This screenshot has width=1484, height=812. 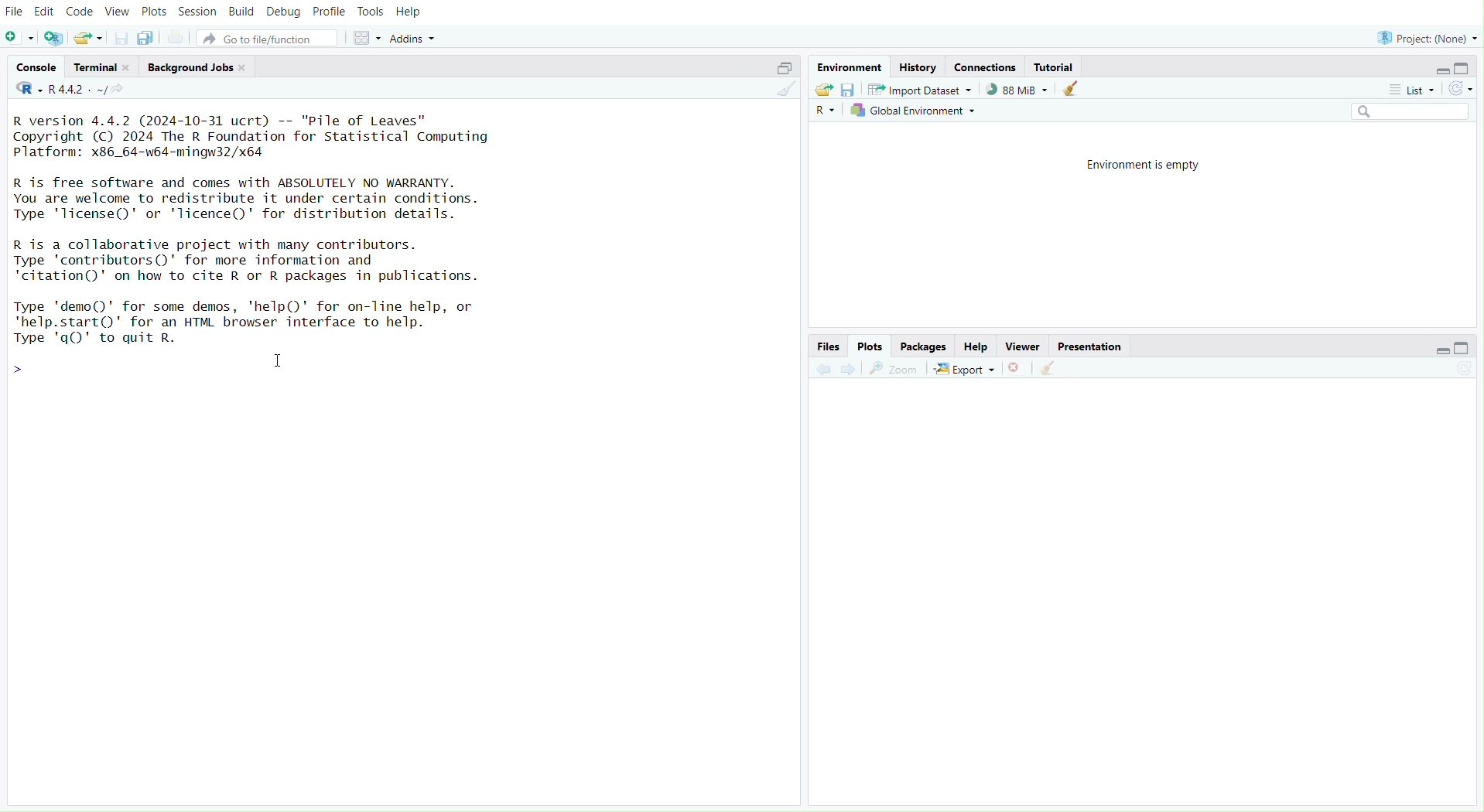 What do you see at coordinates (180, 37) in the screenshot?
I see `Print the current file` at bounding box center [180, 37].